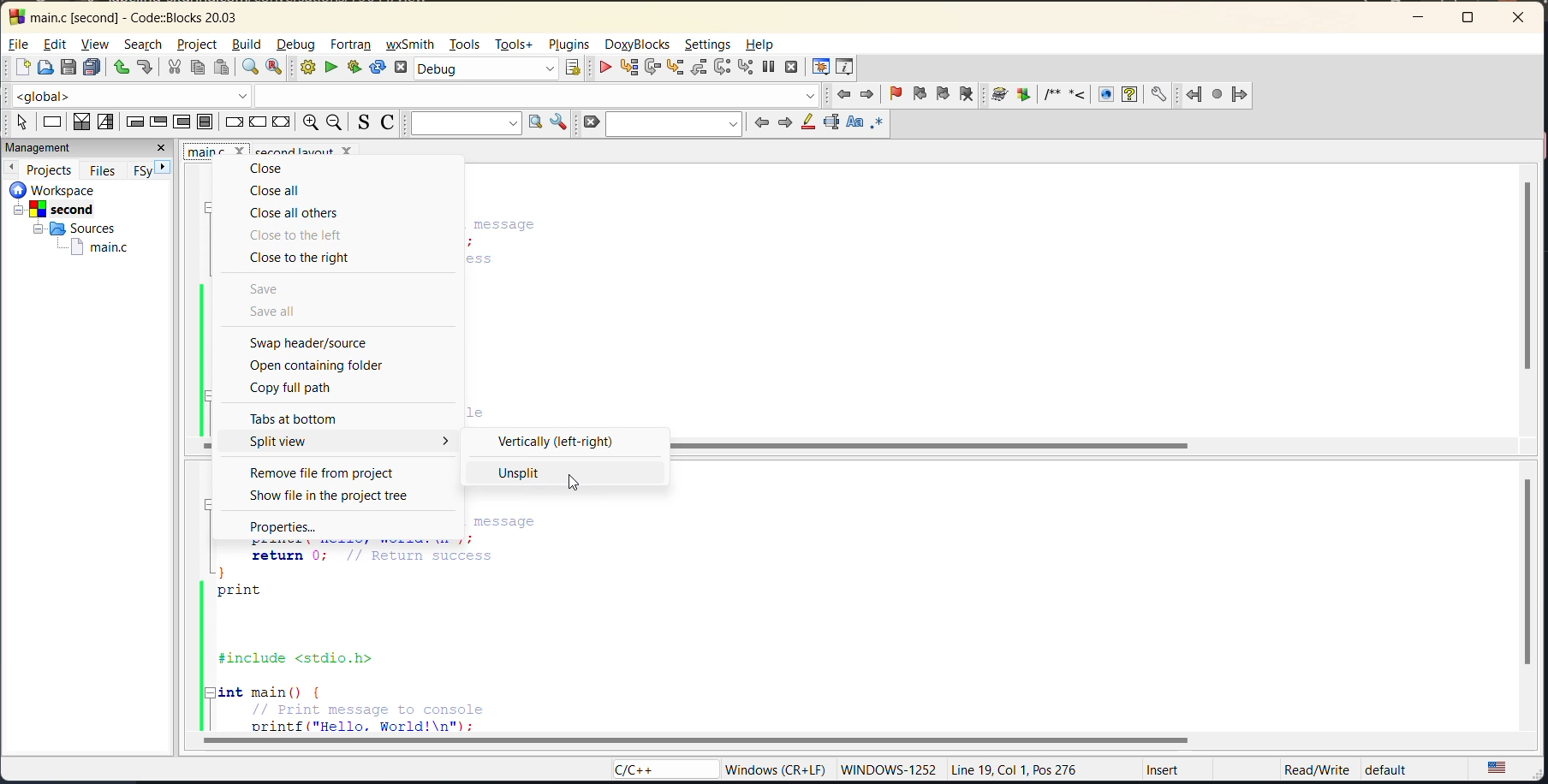 The width and height of the screenshot is (1548, 784). I want to click on selected text, so click(832, 123).